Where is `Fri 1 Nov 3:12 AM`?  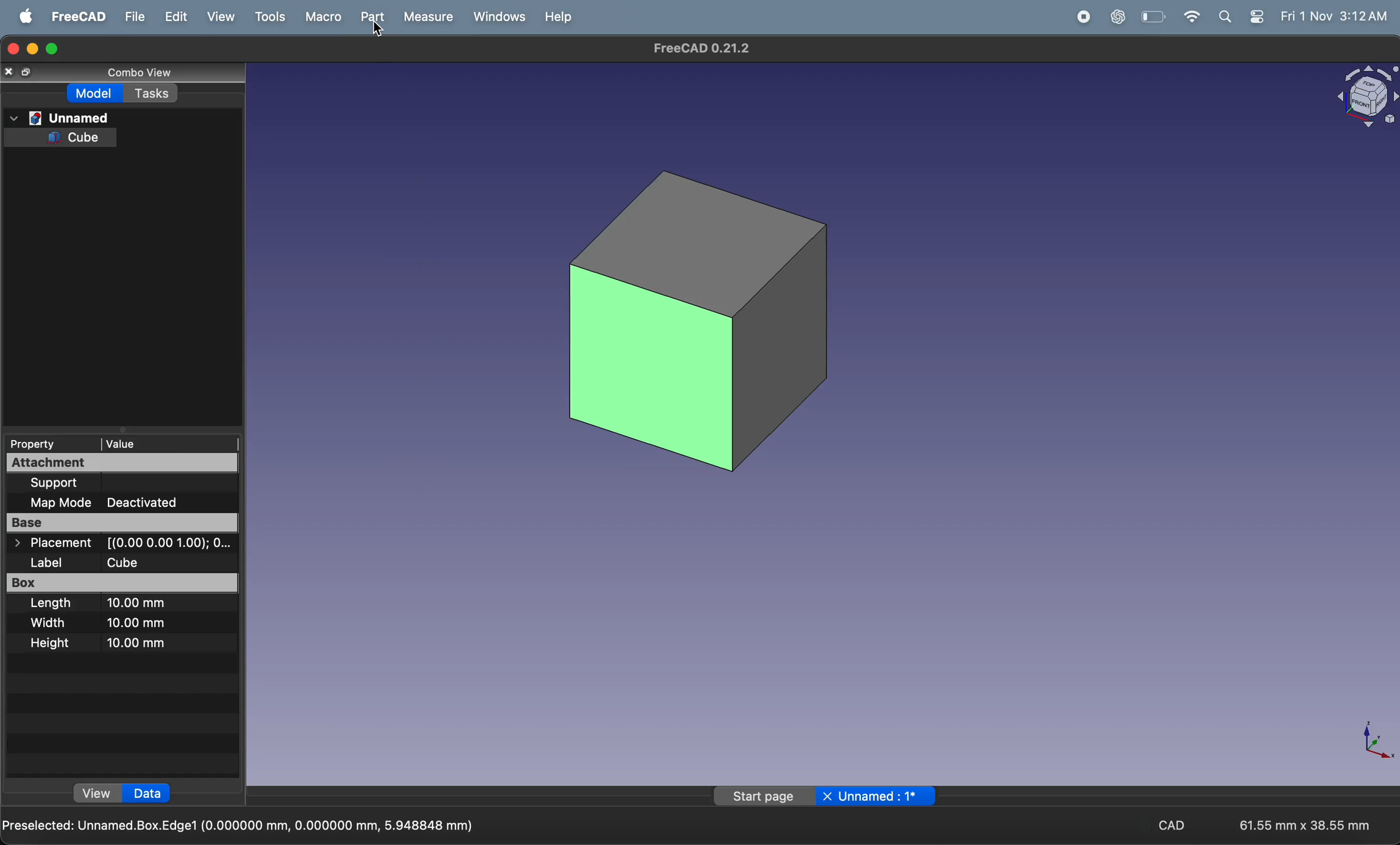
Fri 1 Nov 3:12 AM is located at coordinates (1334, 15).